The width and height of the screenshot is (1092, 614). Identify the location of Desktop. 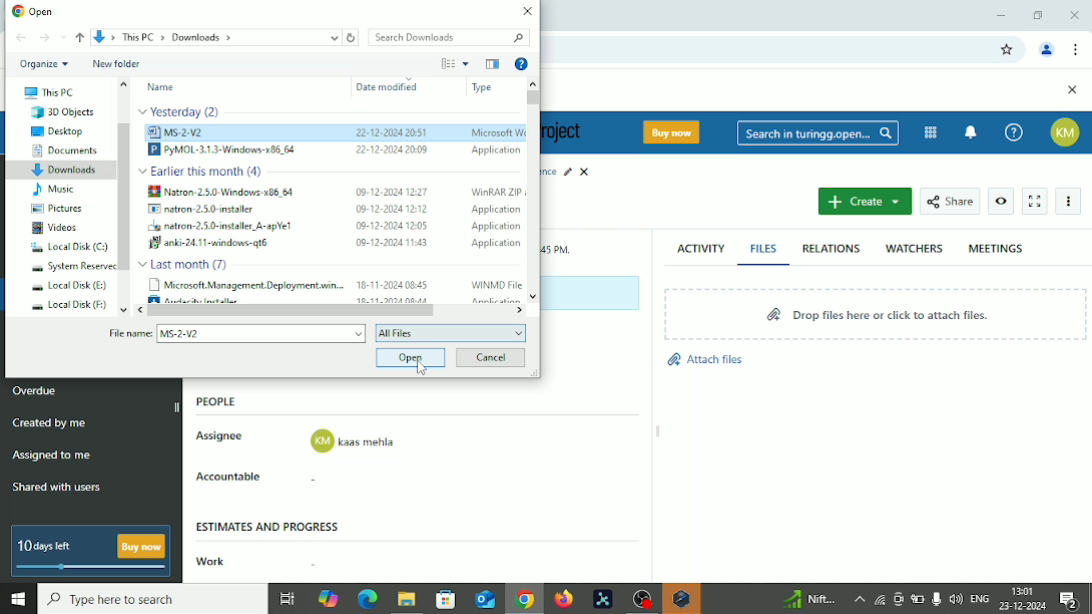
(61, 131).